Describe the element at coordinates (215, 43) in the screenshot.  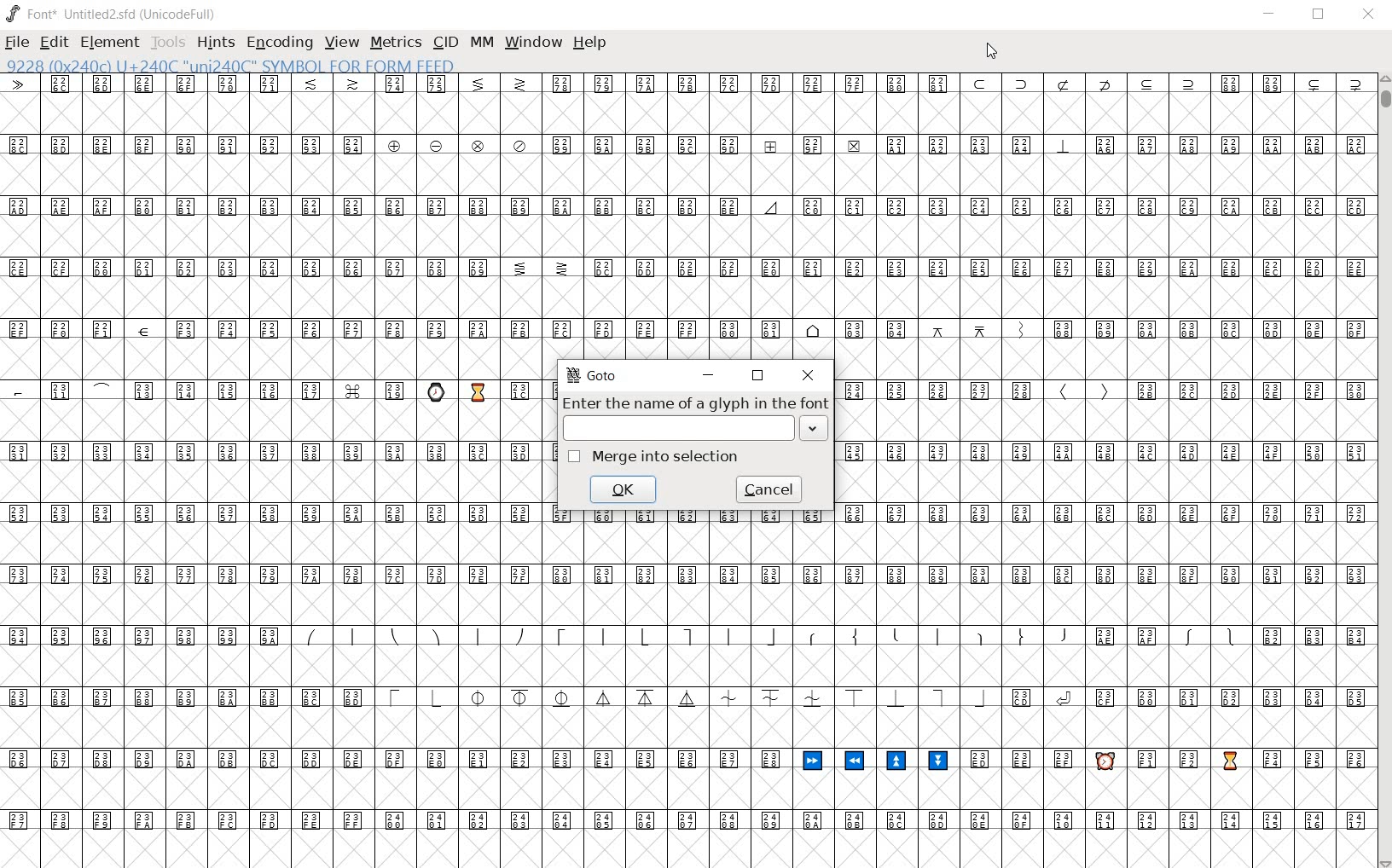
I see `hints` at that location.